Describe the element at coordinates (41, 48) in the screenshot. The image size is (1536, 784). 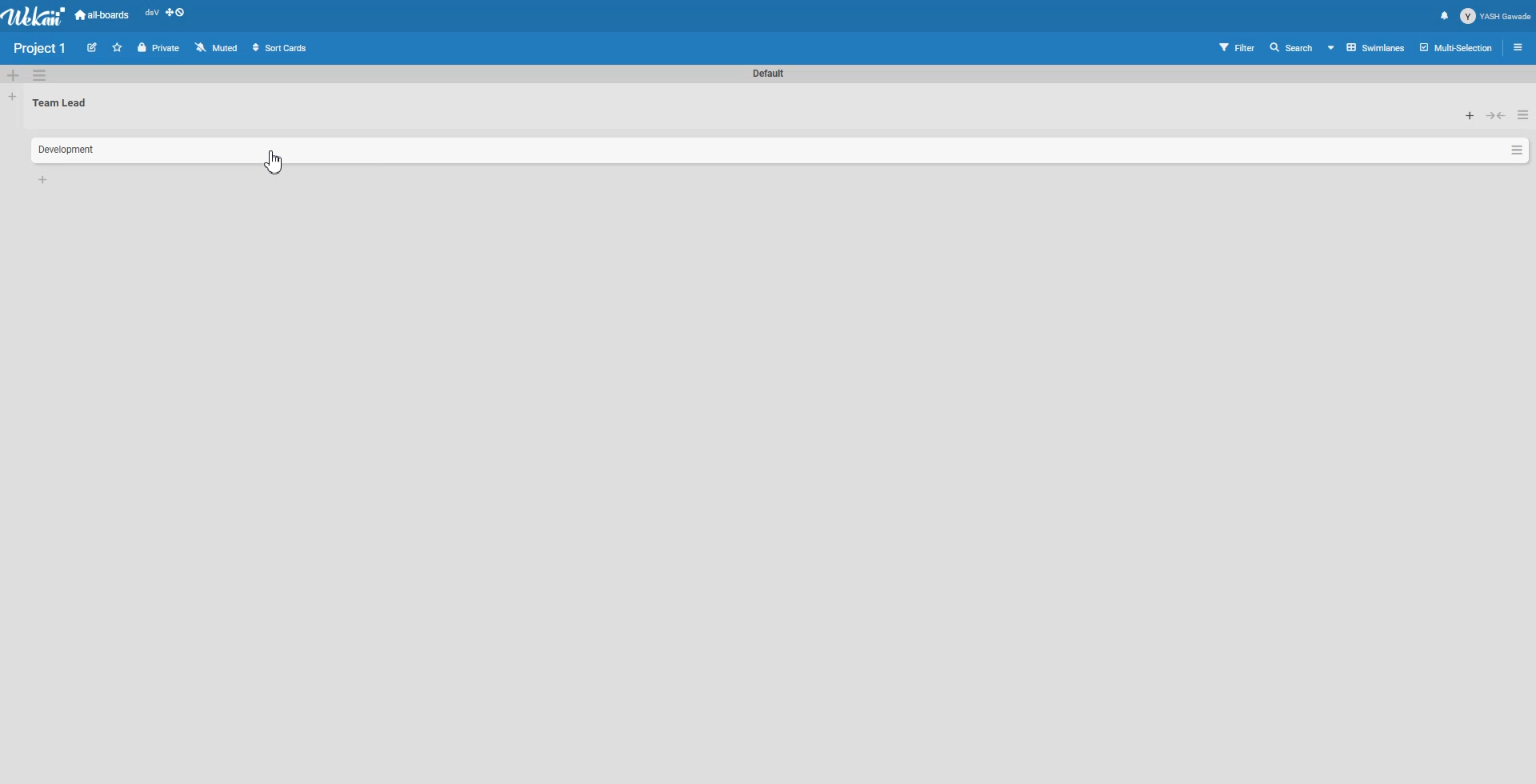
I see `Text` at that location.